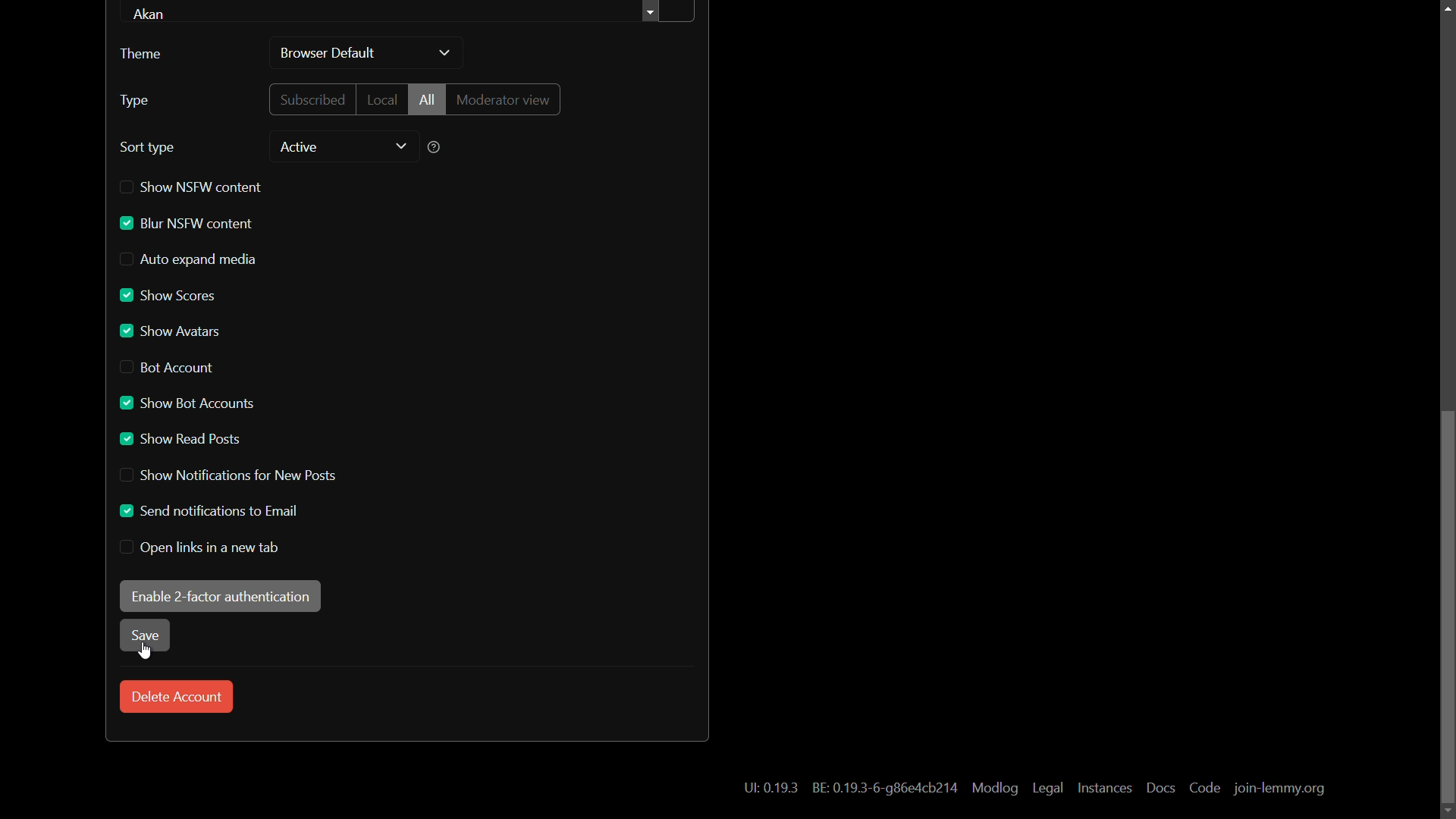 Image resolution: width=1456 pixels, height=819 pixels. What do you see at coordinates (882, 787) in the screenshot?
I see `text` at bounding box center [882, 787].